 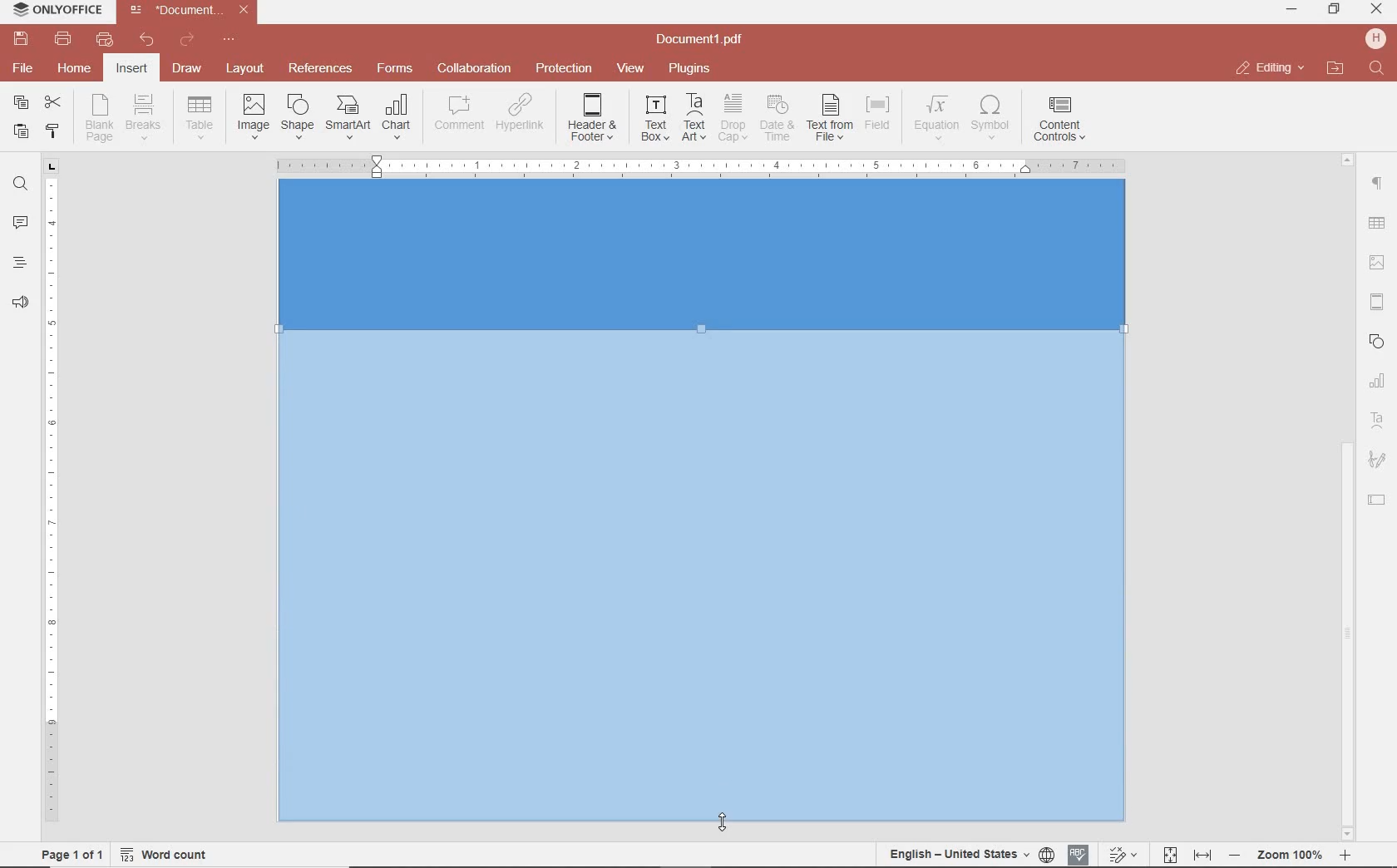 What do you see at coordinates (1079, 855) in the screenshot?
I see `spell checking` at bounding box center [1079, 855].